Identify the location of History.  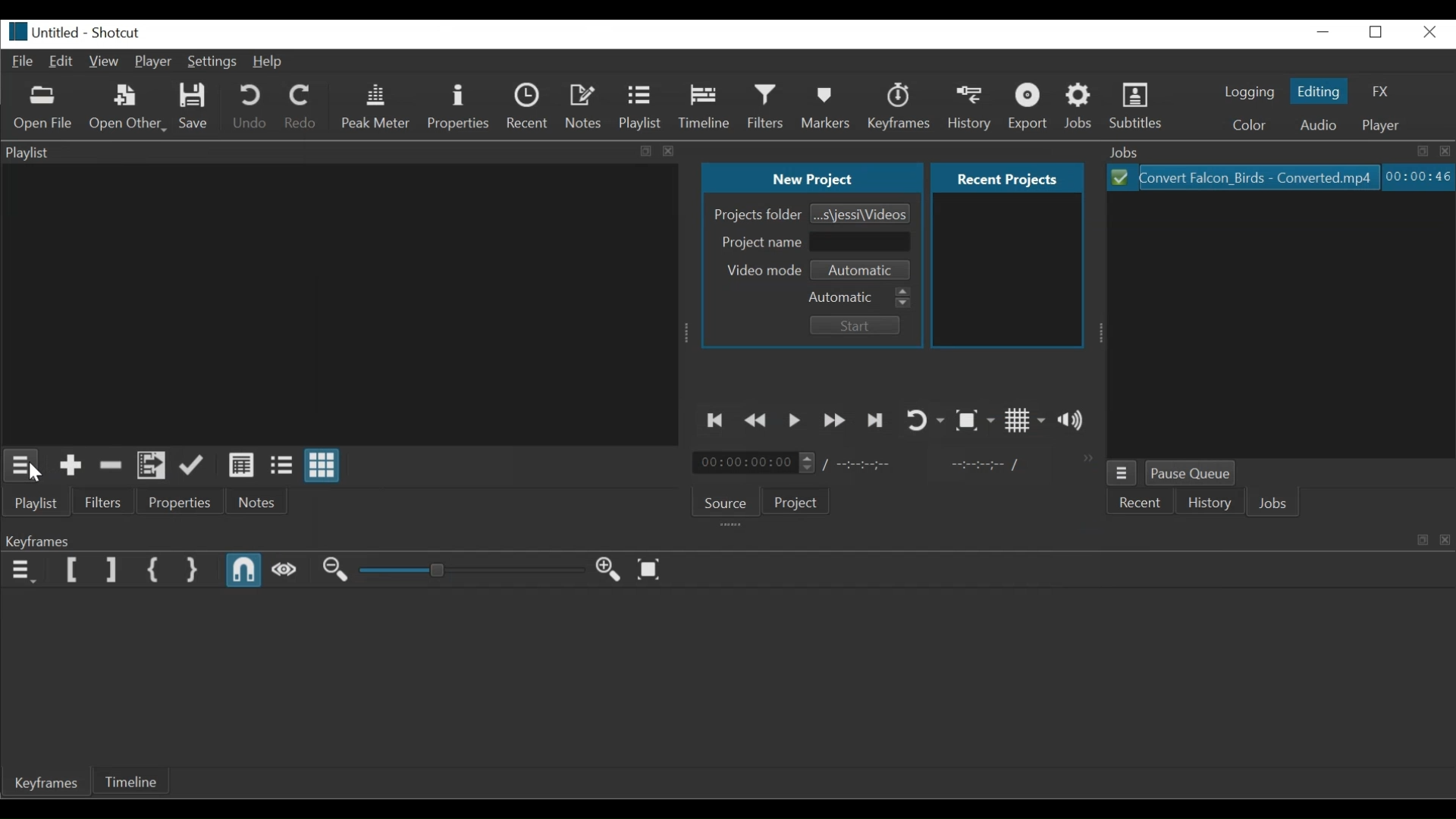
(1210, 500).